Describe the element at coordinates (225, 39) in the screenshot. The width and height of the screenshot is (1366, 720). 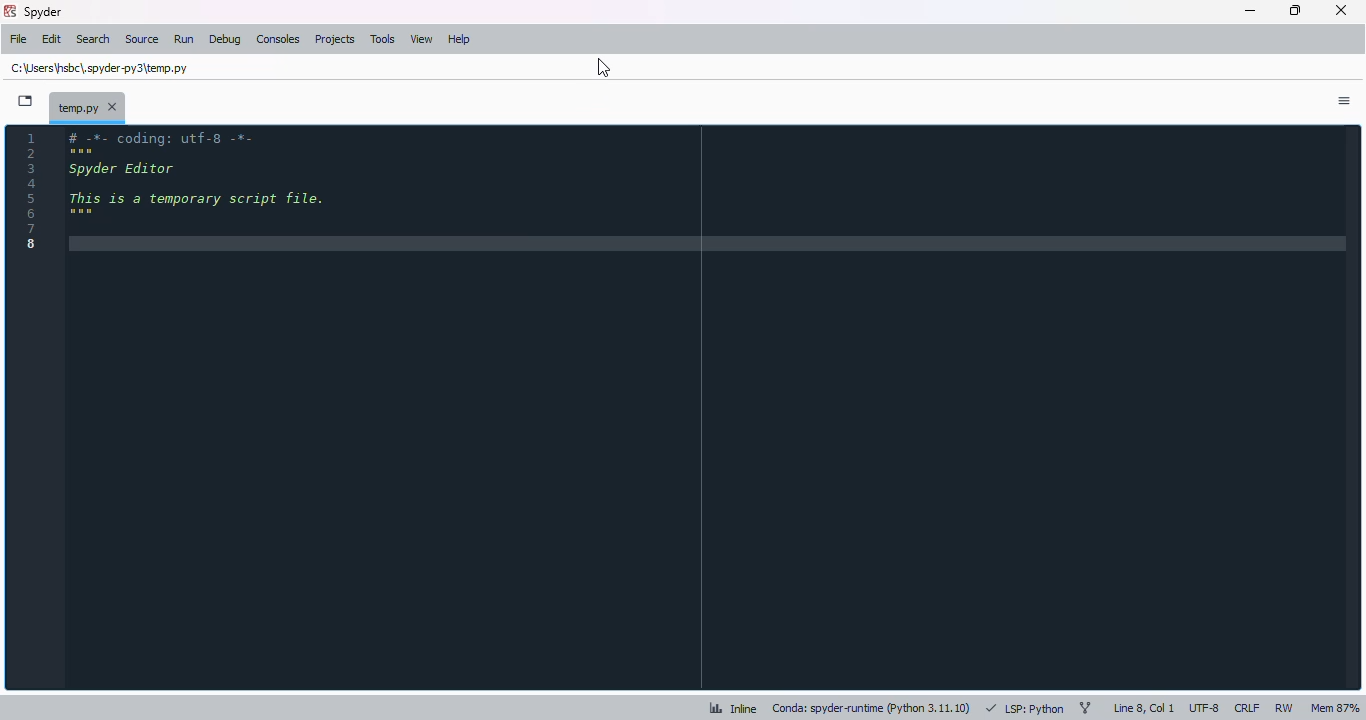
I see `debug` at that location.